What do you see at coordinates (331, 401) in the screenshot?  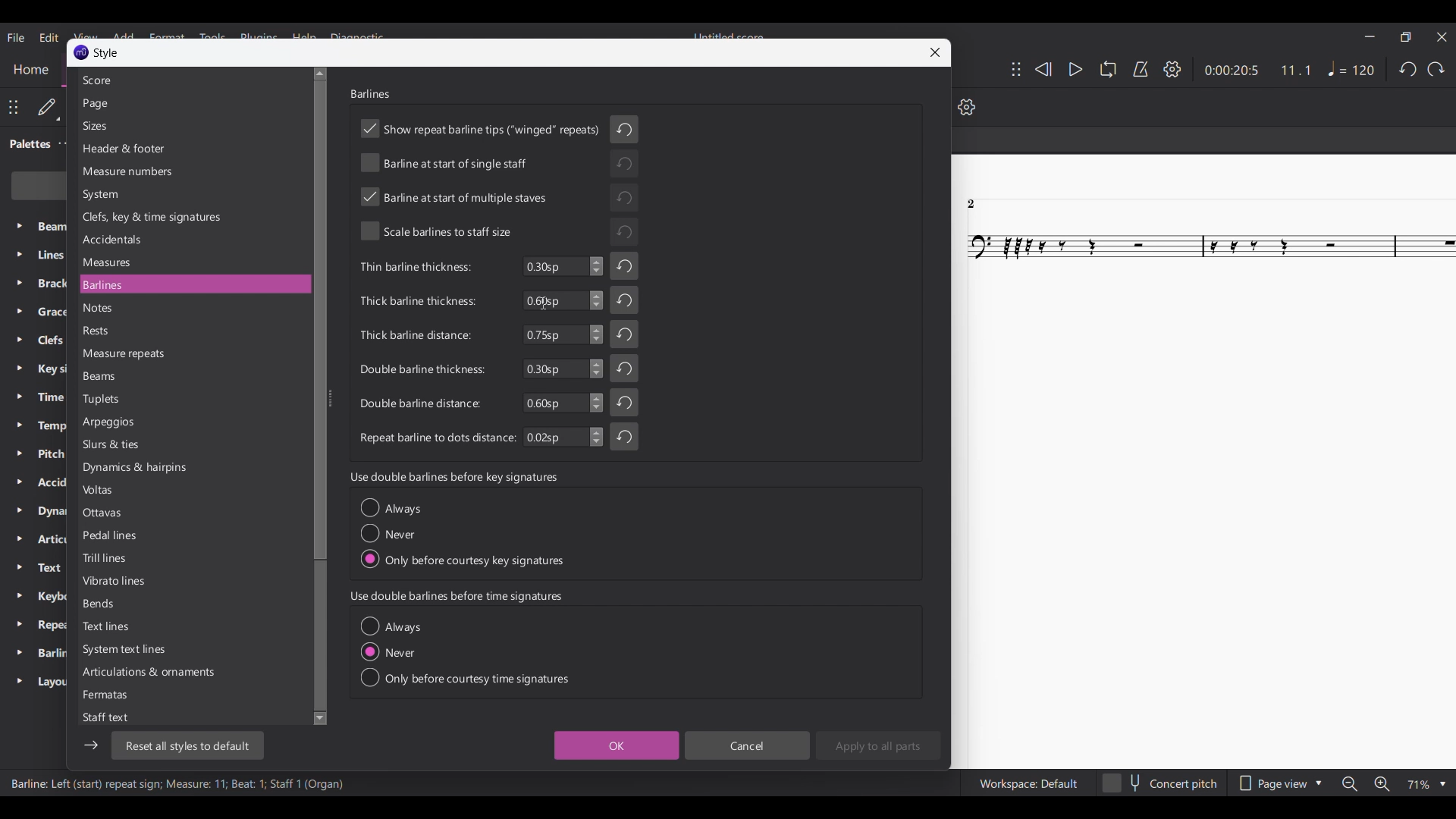 I see `Change width of side panel ` at bounding box center [331, 401].